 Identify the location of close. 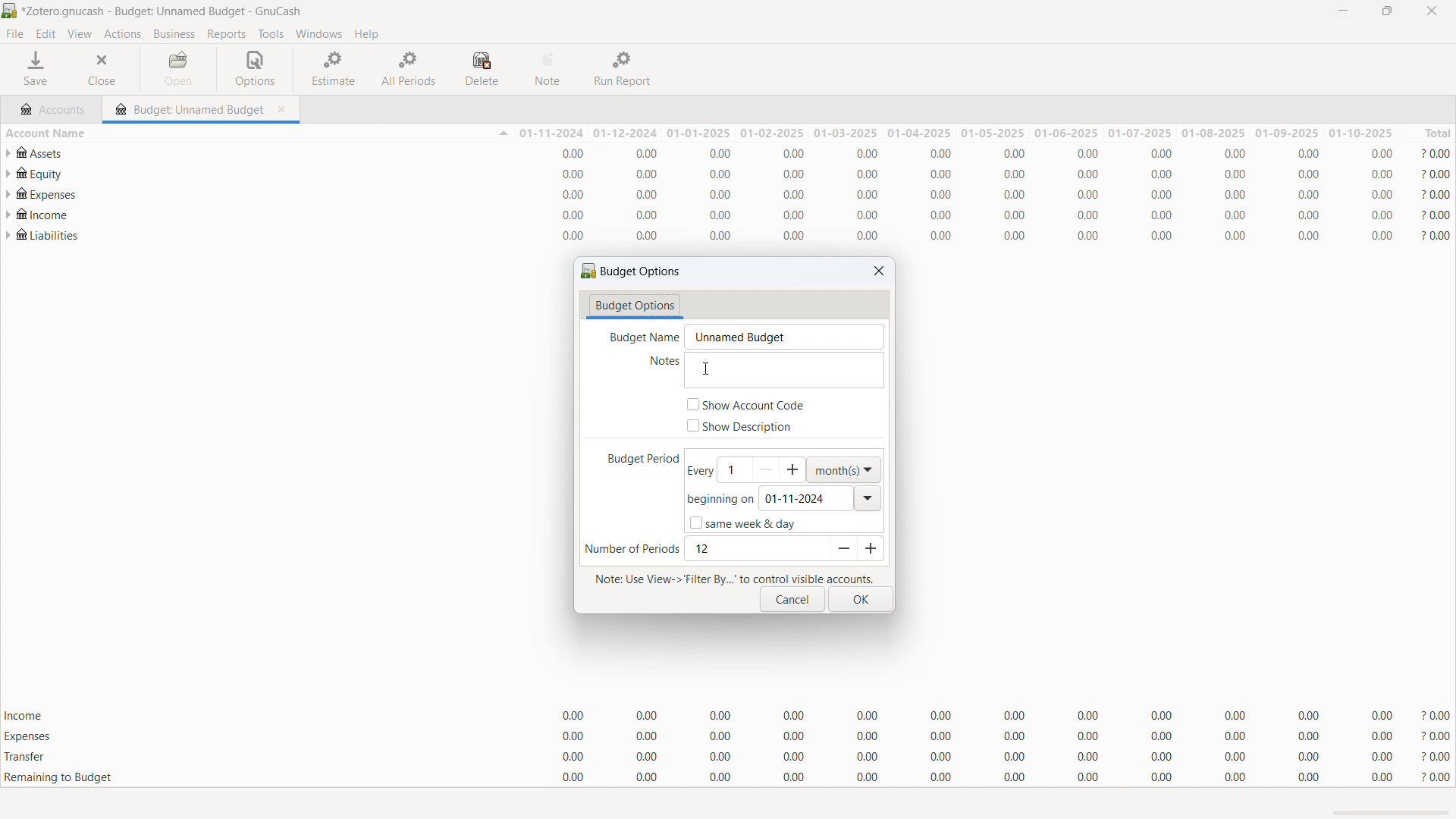
(1431, 11).